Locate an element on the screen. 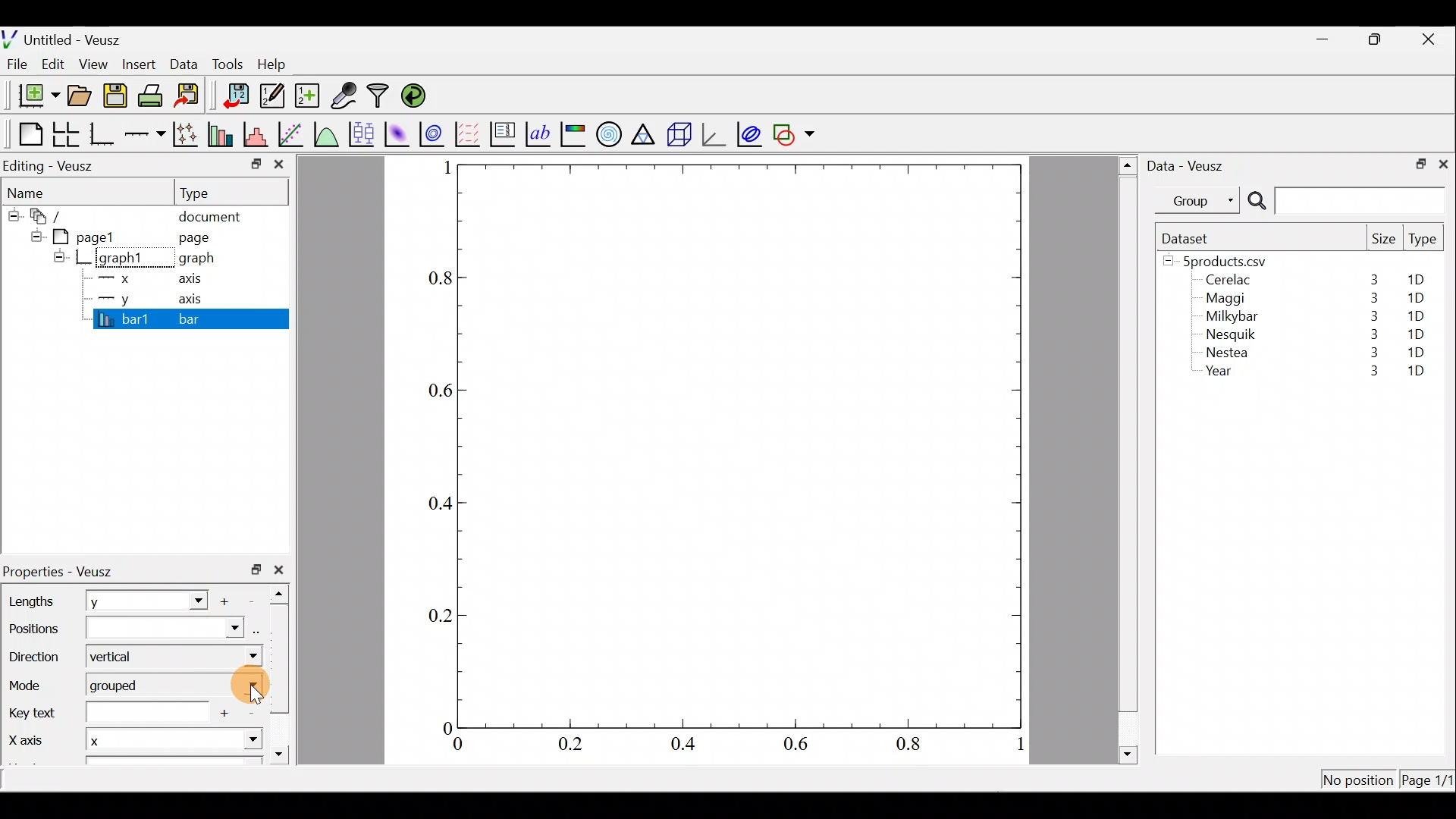  page is located at coordinates (193, 237).